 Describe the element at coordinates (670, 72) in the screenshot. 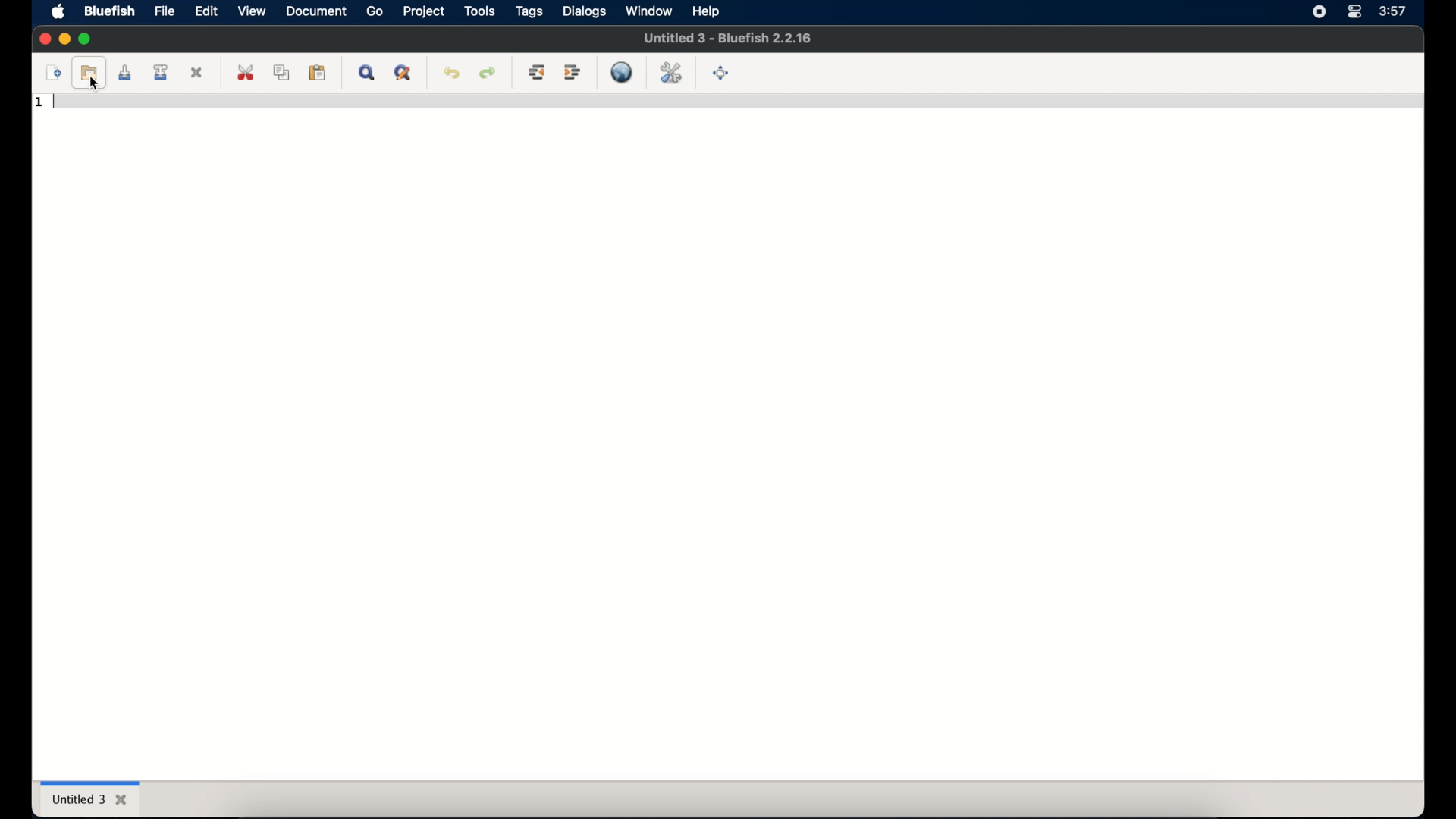

I see `edit preferences` at that location.